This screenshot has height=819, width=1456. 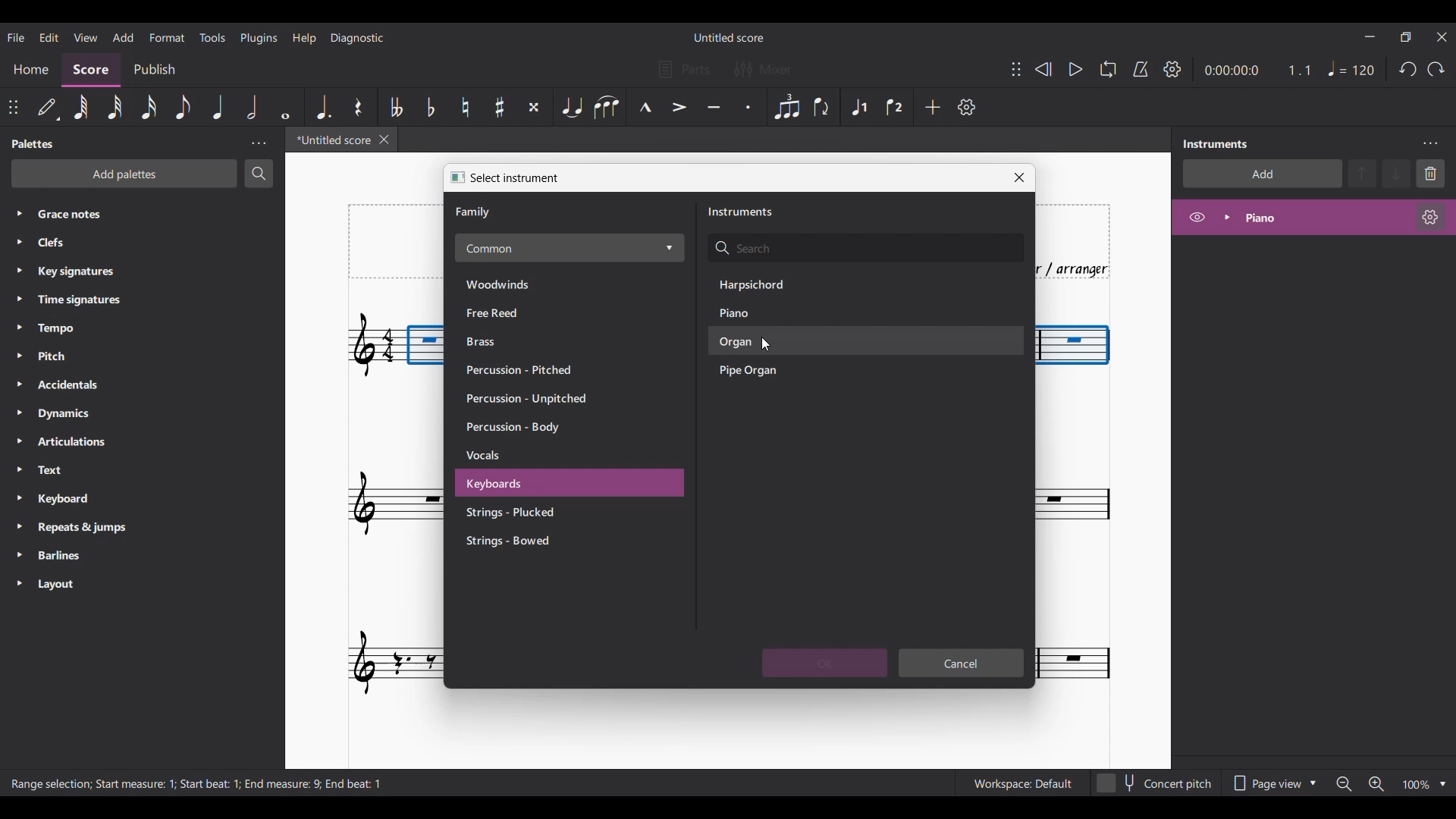 I want to click on Redo, so click(x=1436, y=69).